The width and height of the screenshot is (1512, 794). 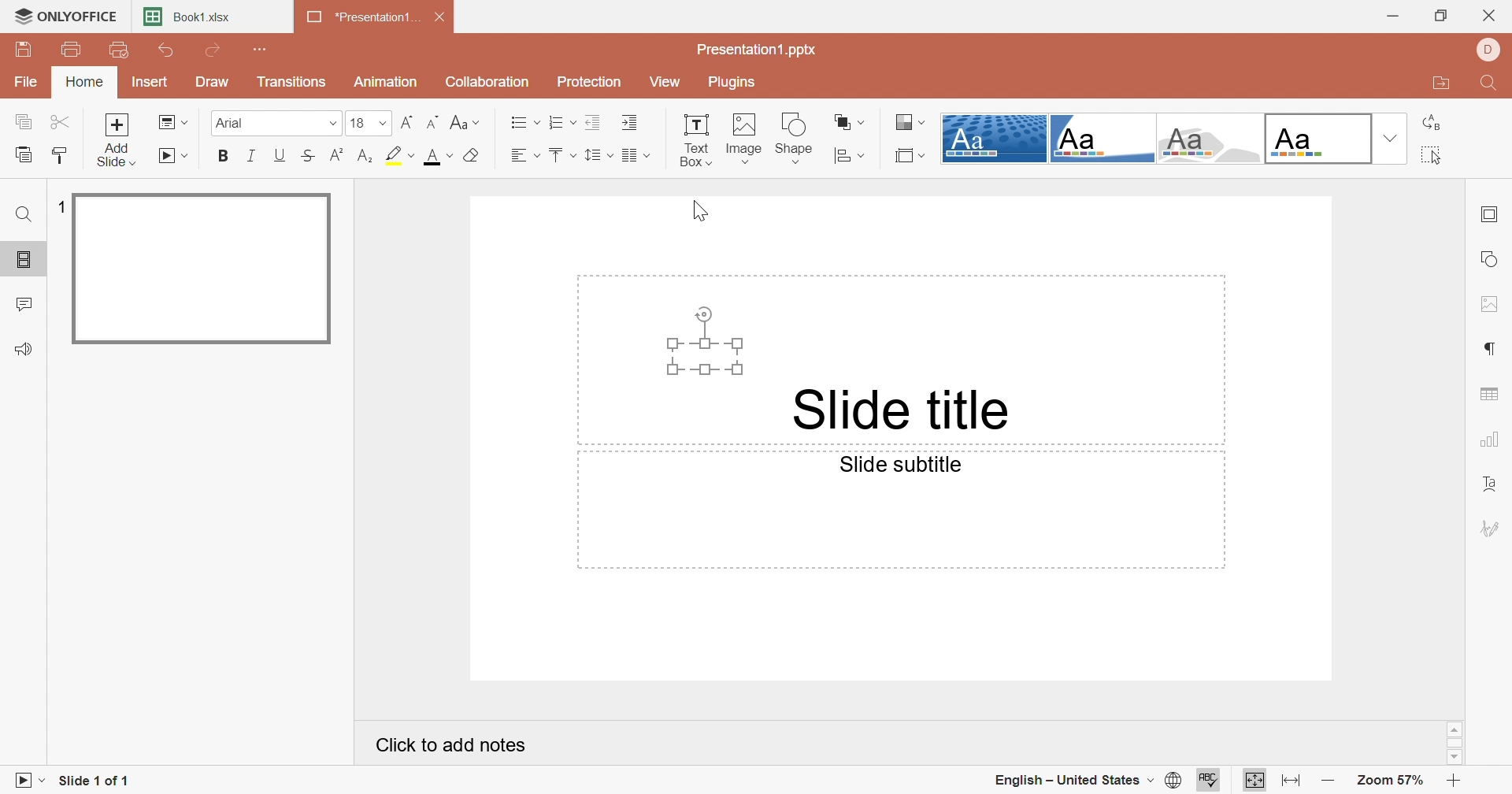 What do you see at coordinates (561, 151) in the screenshot?
I see `Vertical align` at bounding box center [561, 151].